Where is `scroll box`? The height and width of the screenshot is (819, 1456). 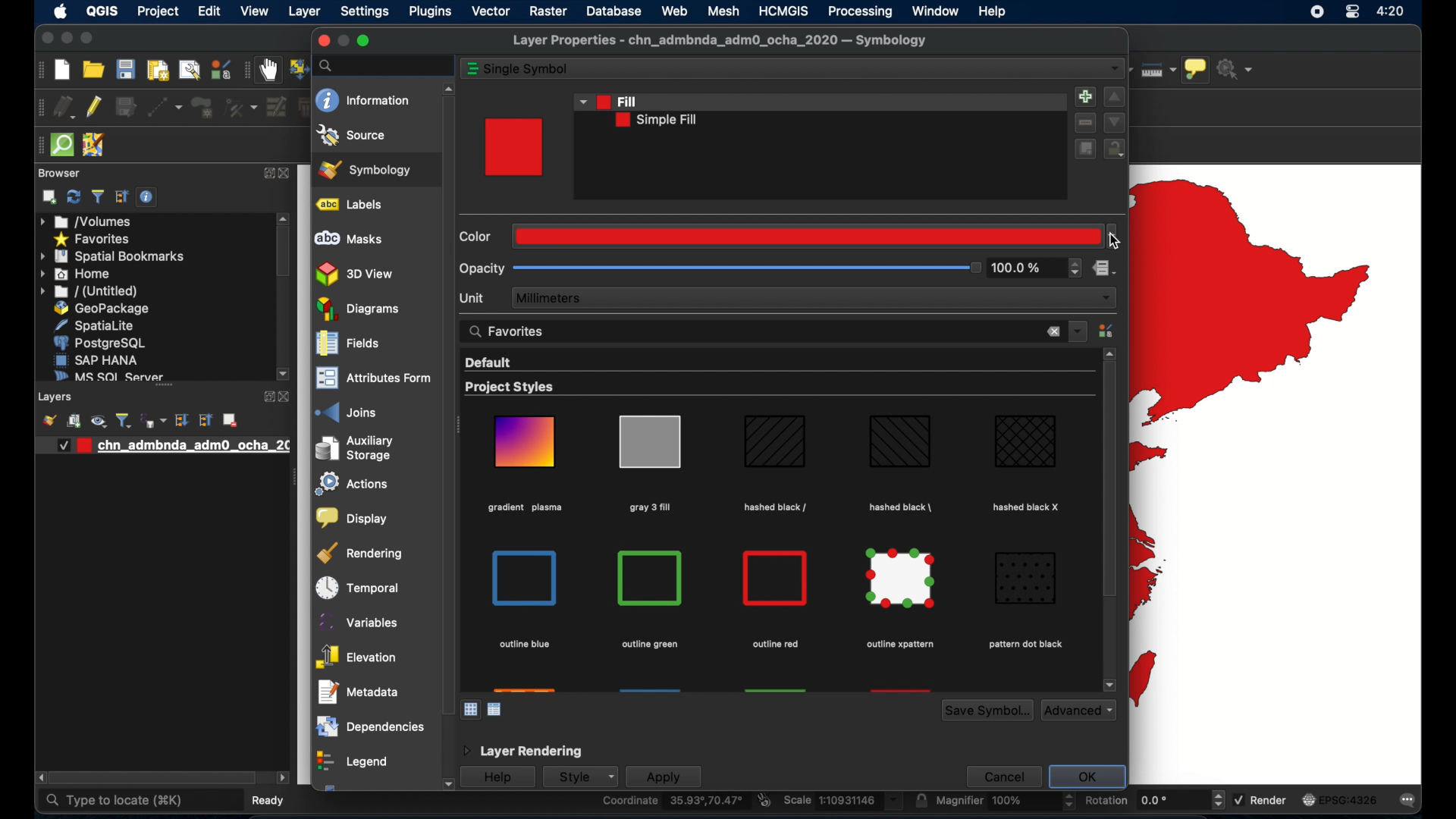
scroll box is located at coordinates (1108, 483).